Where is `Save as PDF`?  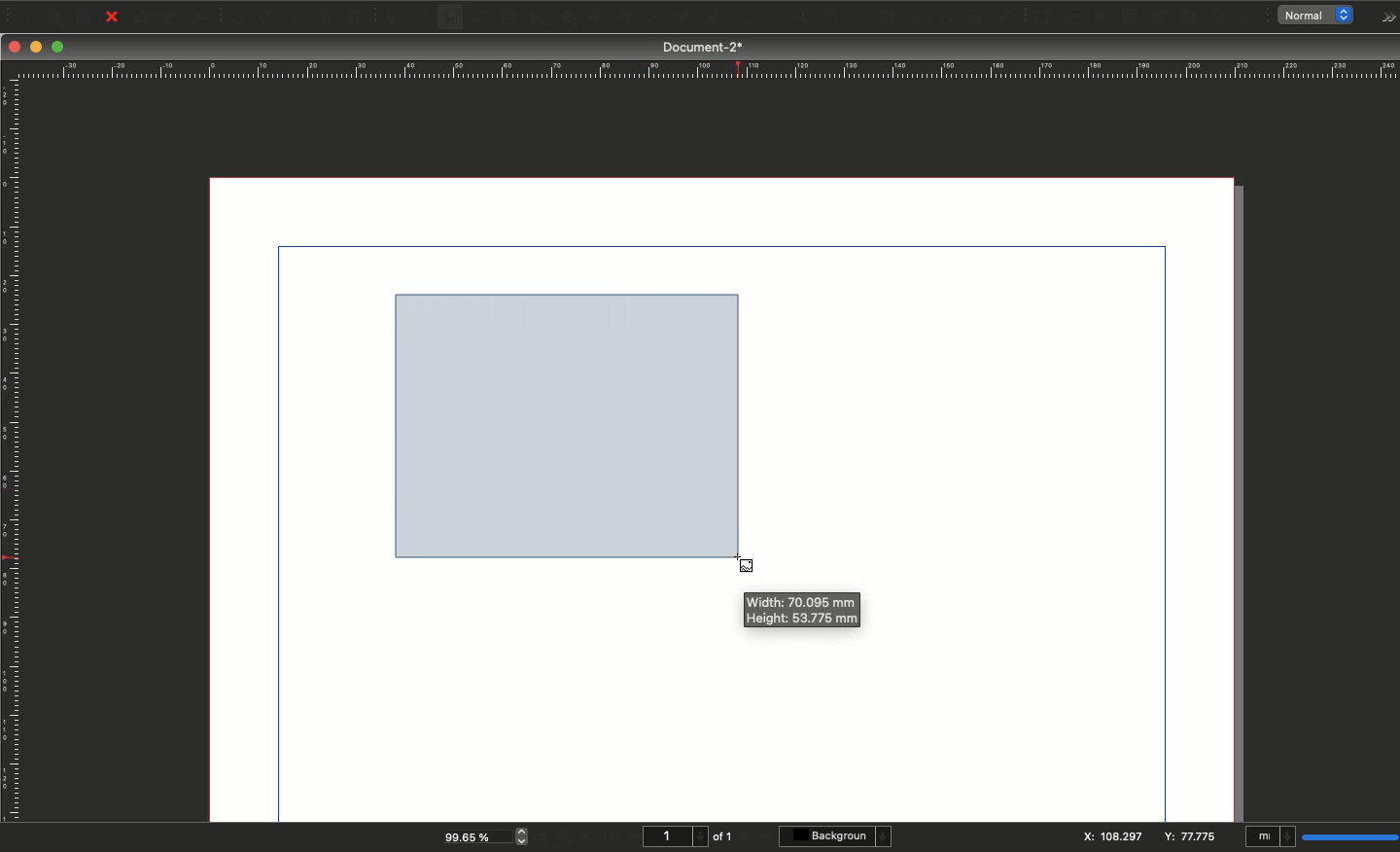
Save as PDF is located at coordinates (202, 17).